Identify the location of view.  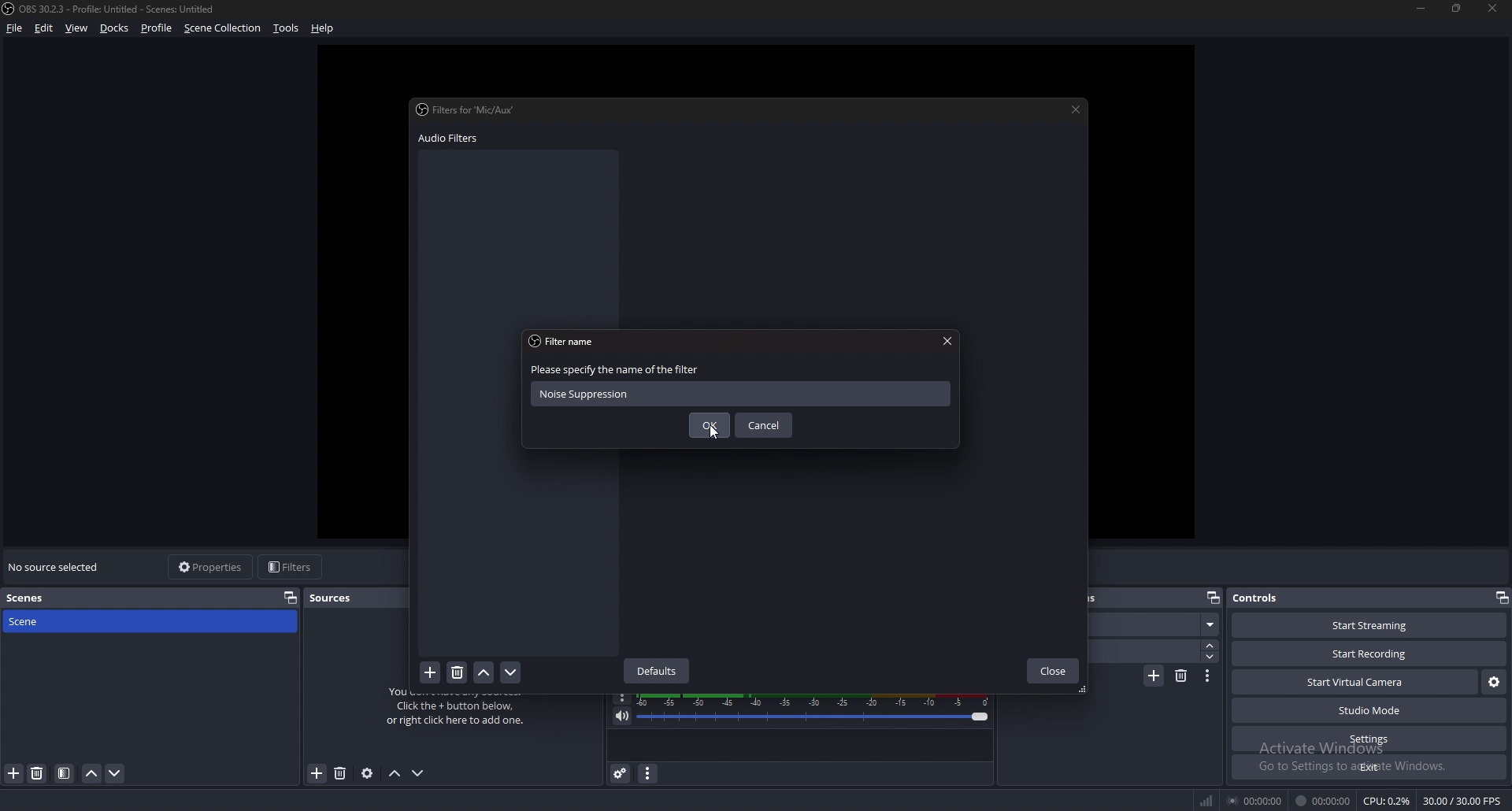
(76, 28).